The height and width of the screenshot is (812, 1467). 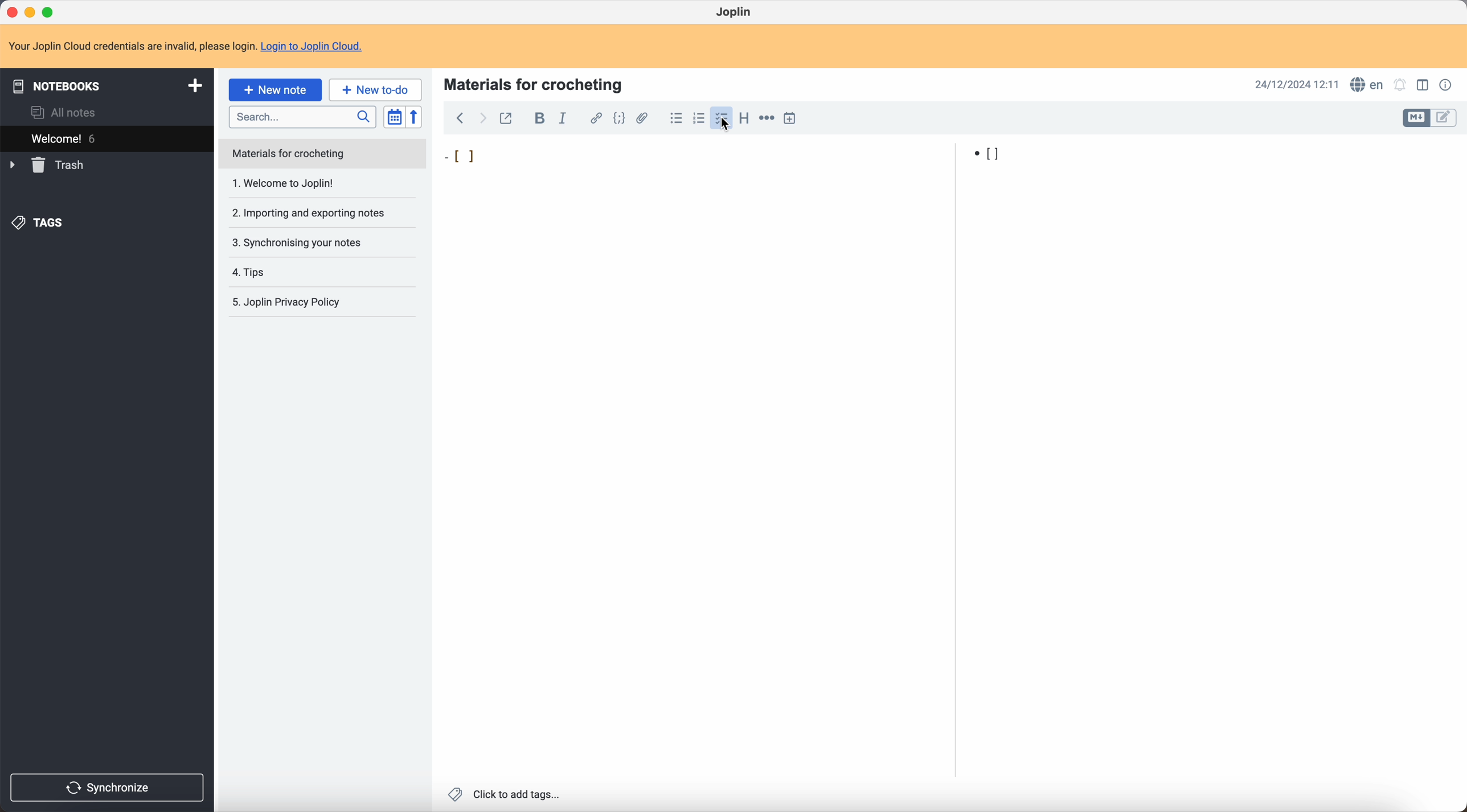 What do you see at coordinates (1400, 86) in the screenshot?
I see `set notificatins` at bounding box center [1400, 86].